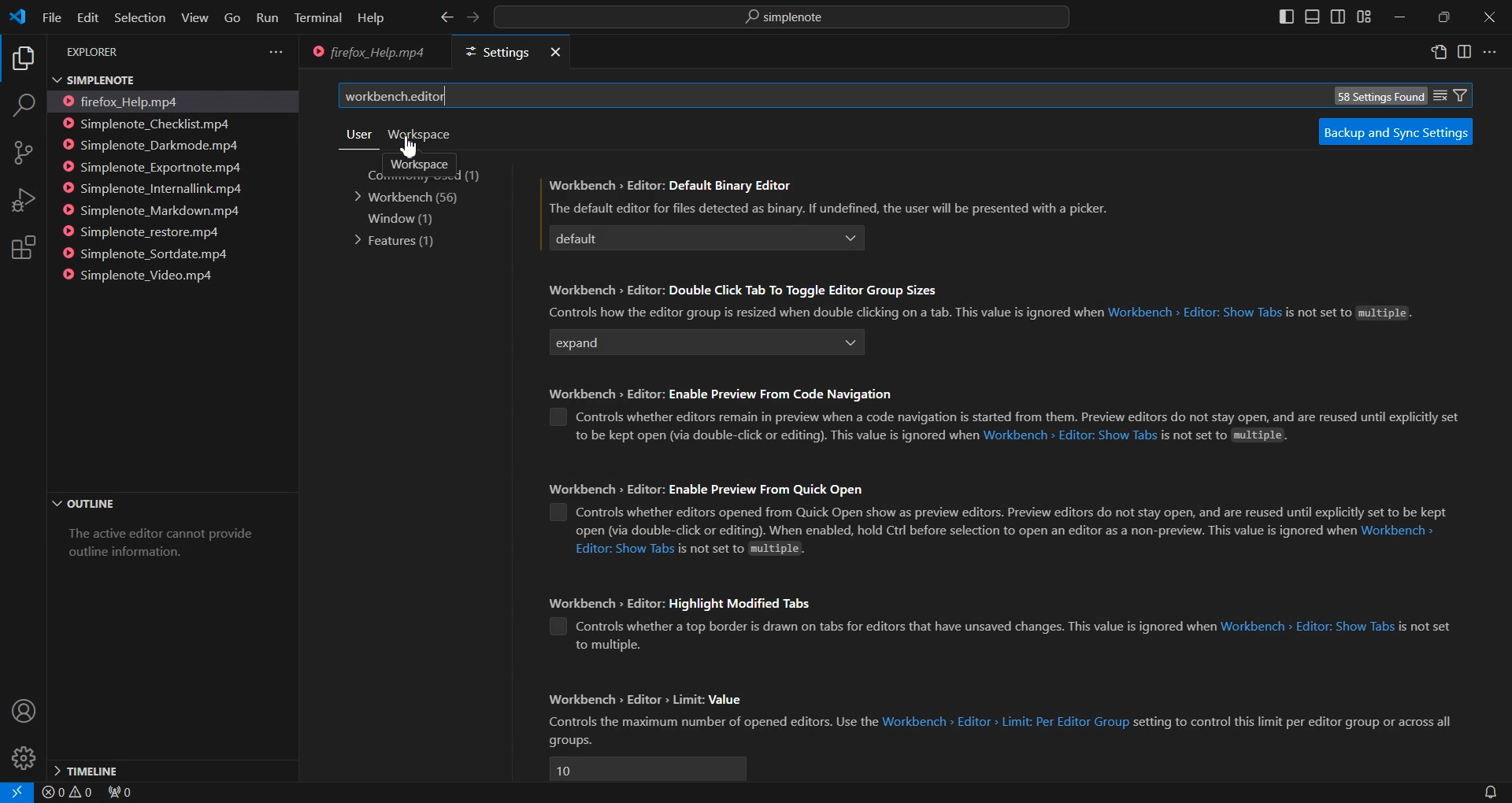 The image size is (1512, 803). I want to click on setting to control this limit per editor group or across all, so click(1296, 721).